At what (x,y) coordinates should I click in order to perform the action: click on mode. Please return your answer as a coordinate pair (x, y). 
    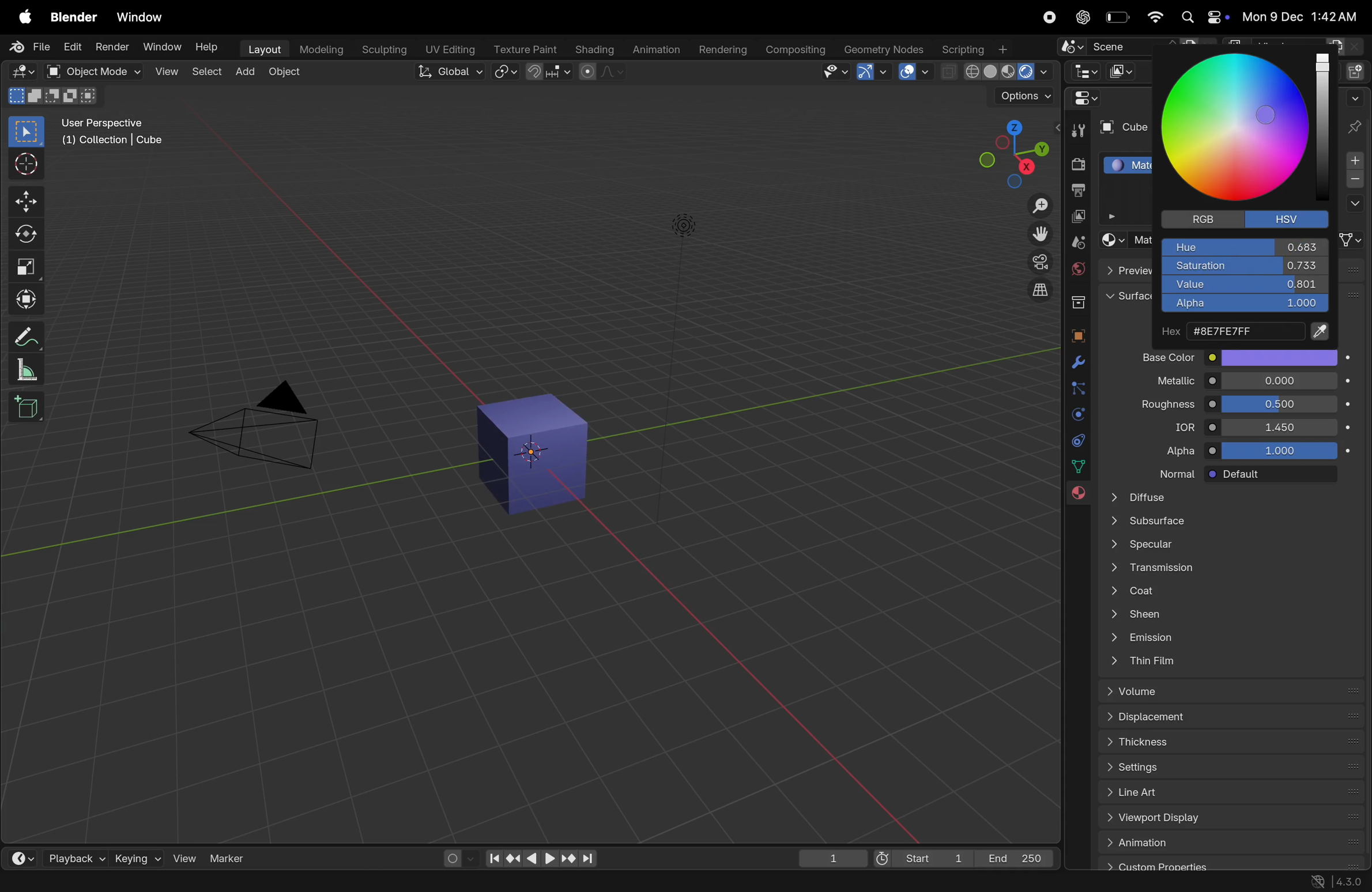
    Looking at the image, I should click on (54, 95).